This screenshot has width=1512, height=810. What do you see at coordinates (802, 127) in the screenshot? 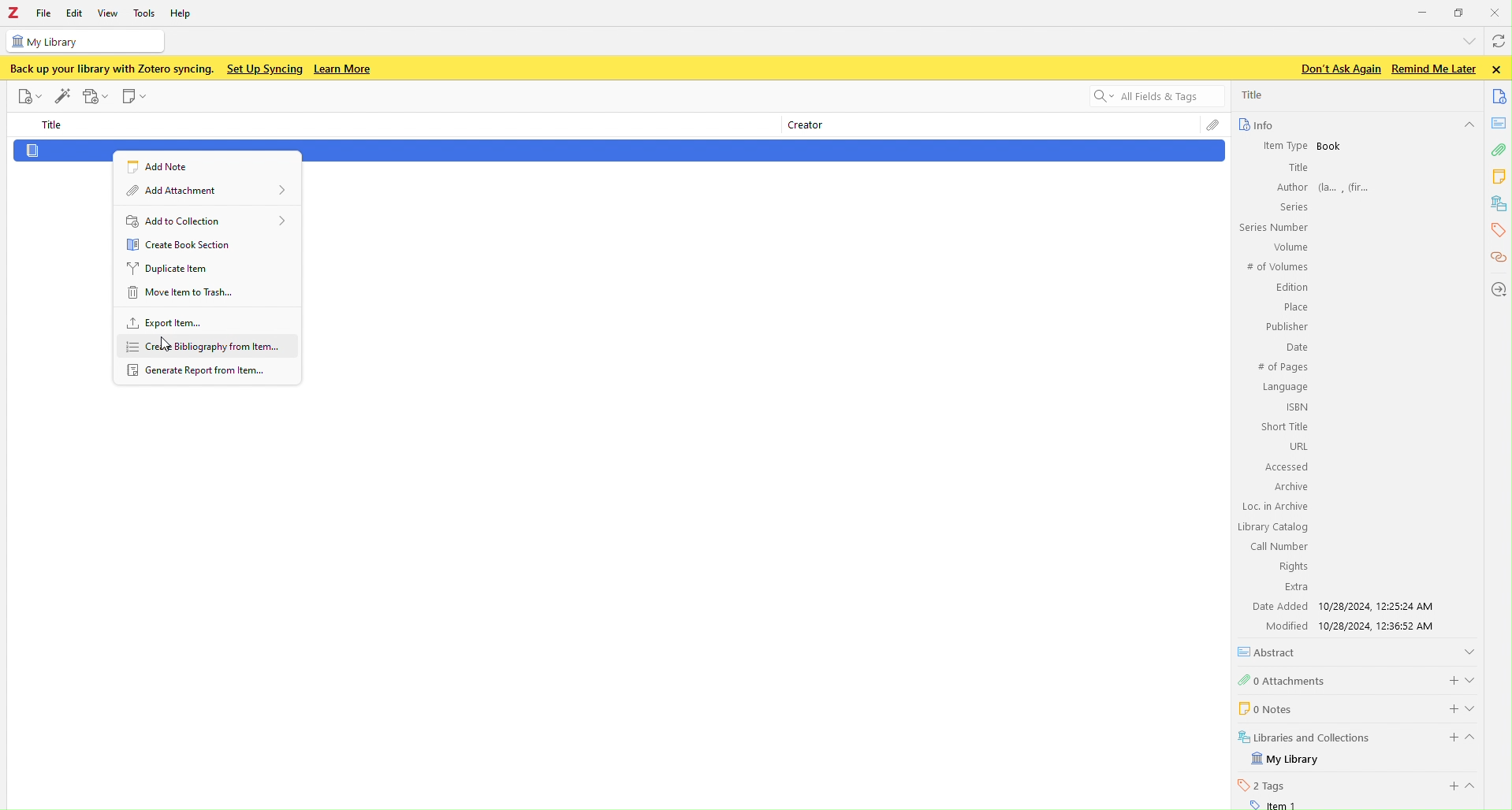
I see `Creator` at bounding box center [802, 127].